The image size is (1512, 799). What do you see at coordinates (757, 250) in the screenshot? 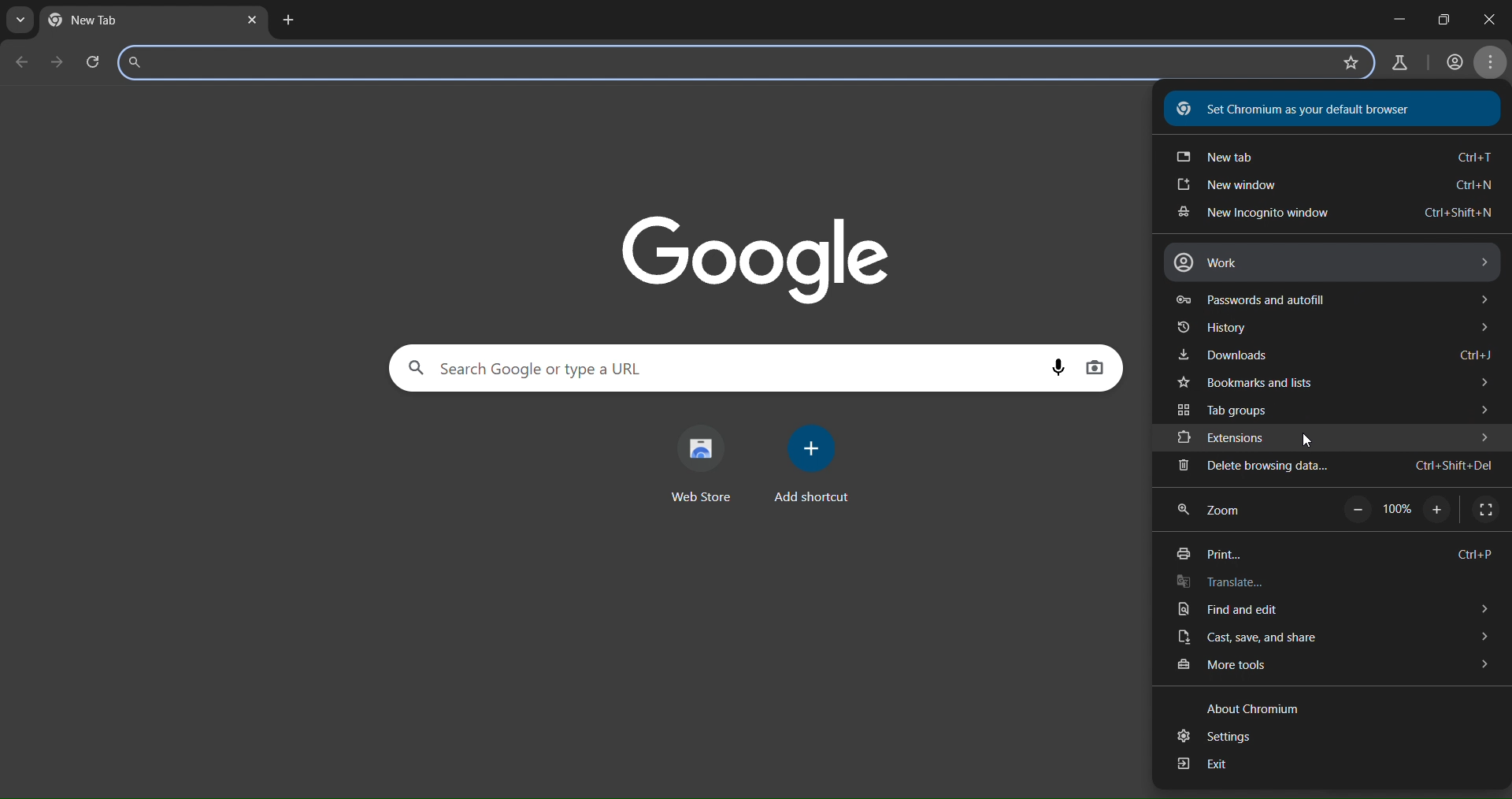
I see `Google` at bounding box center [757, 250].